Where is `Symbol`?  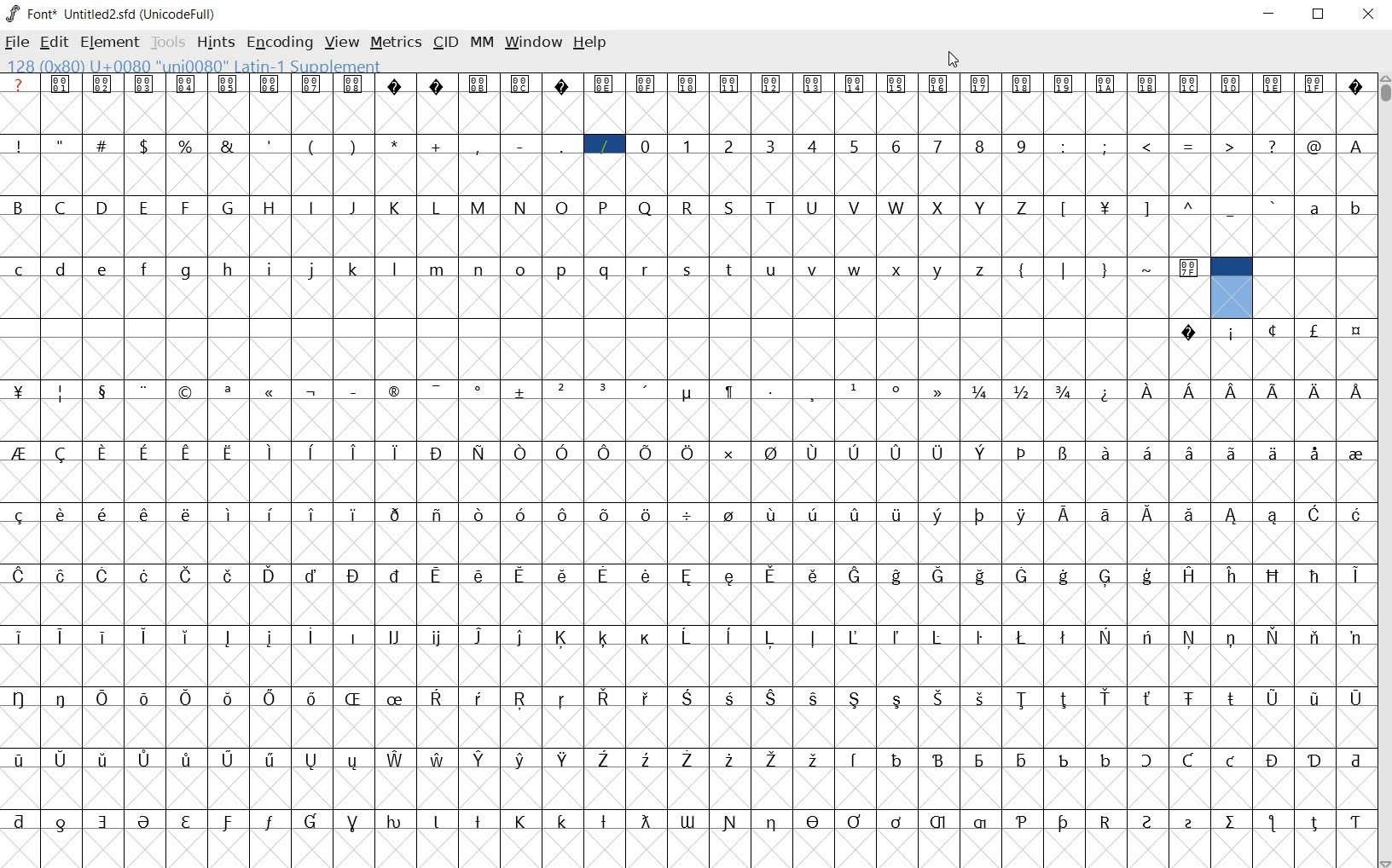 Symbol is located at coordinates (1106, 391).